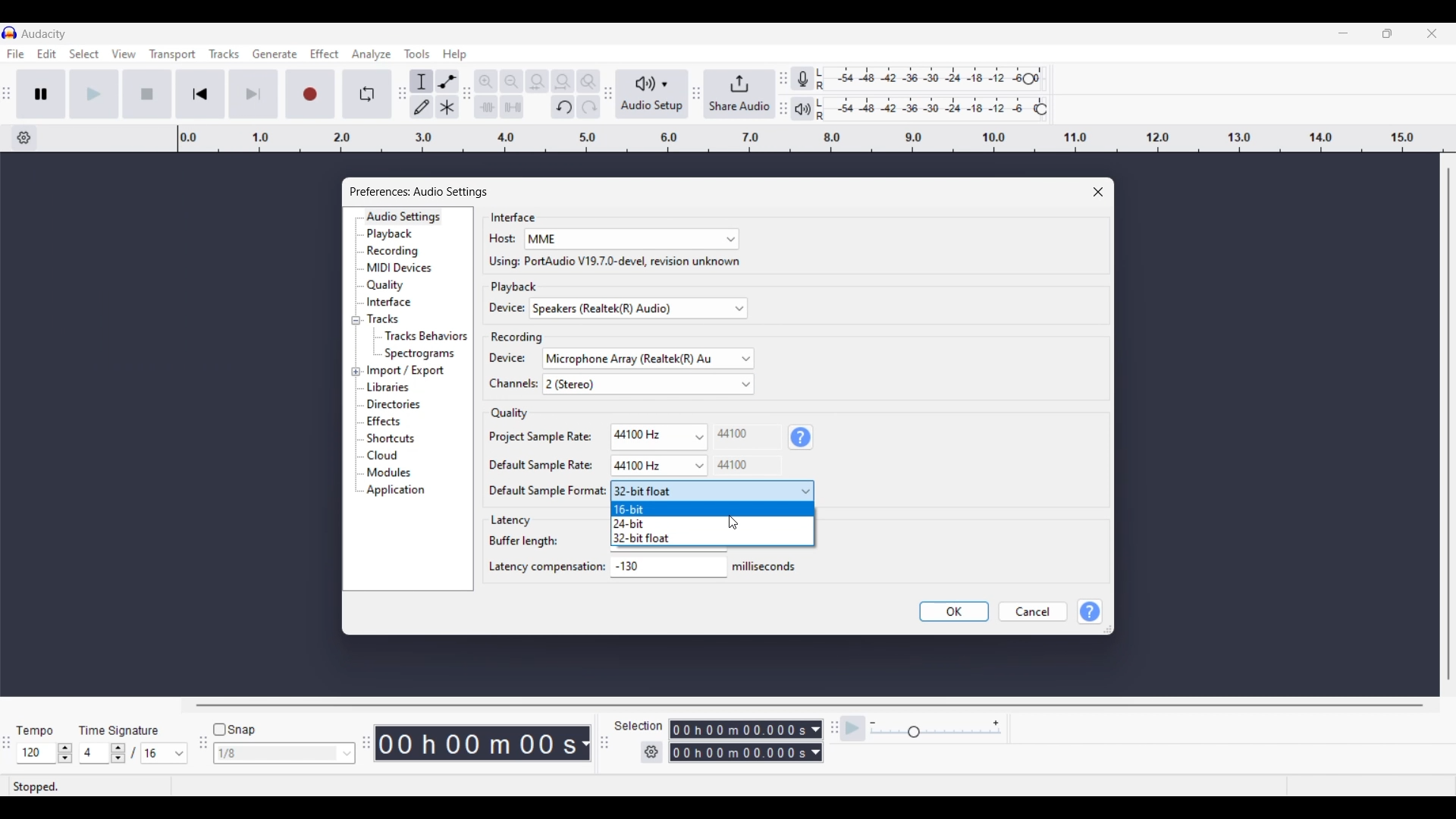 This screenshot has height=819, width=1456. What do you see at coordinates (410, 387) in the screenshot?
I see `Libraries` at bounding box center [410, 387].